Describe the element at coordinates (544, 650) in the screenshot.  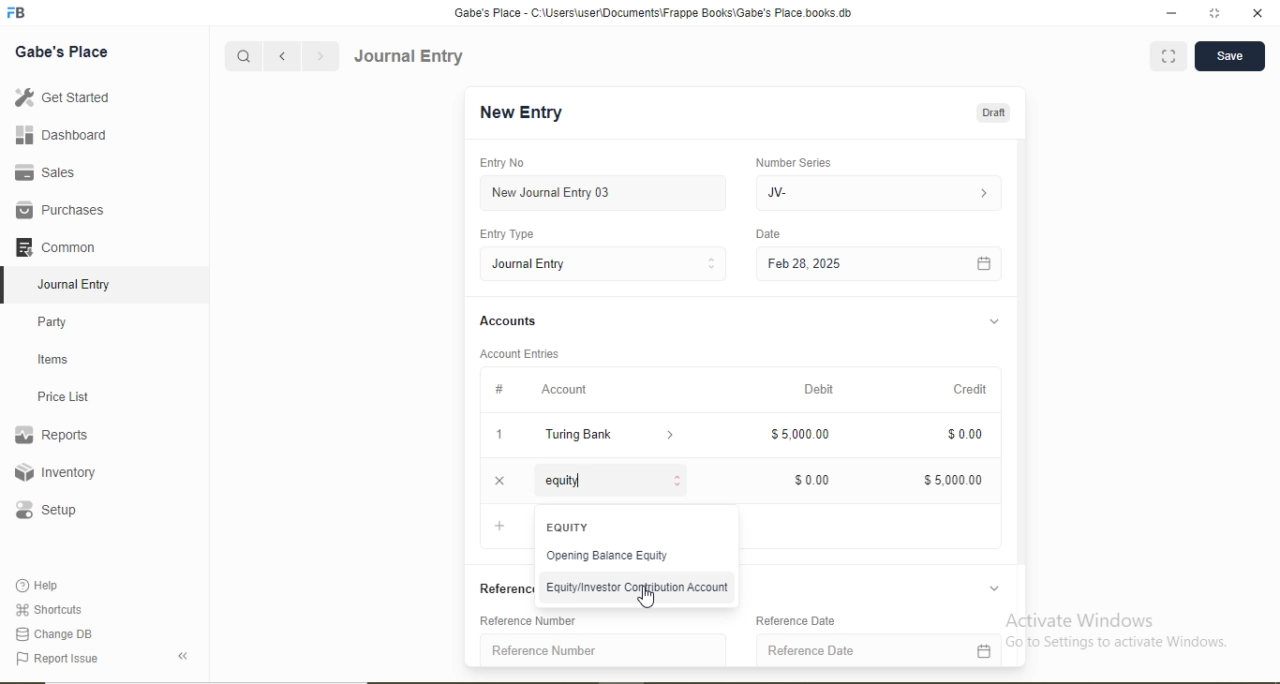
I see `Reference Number` at that location.